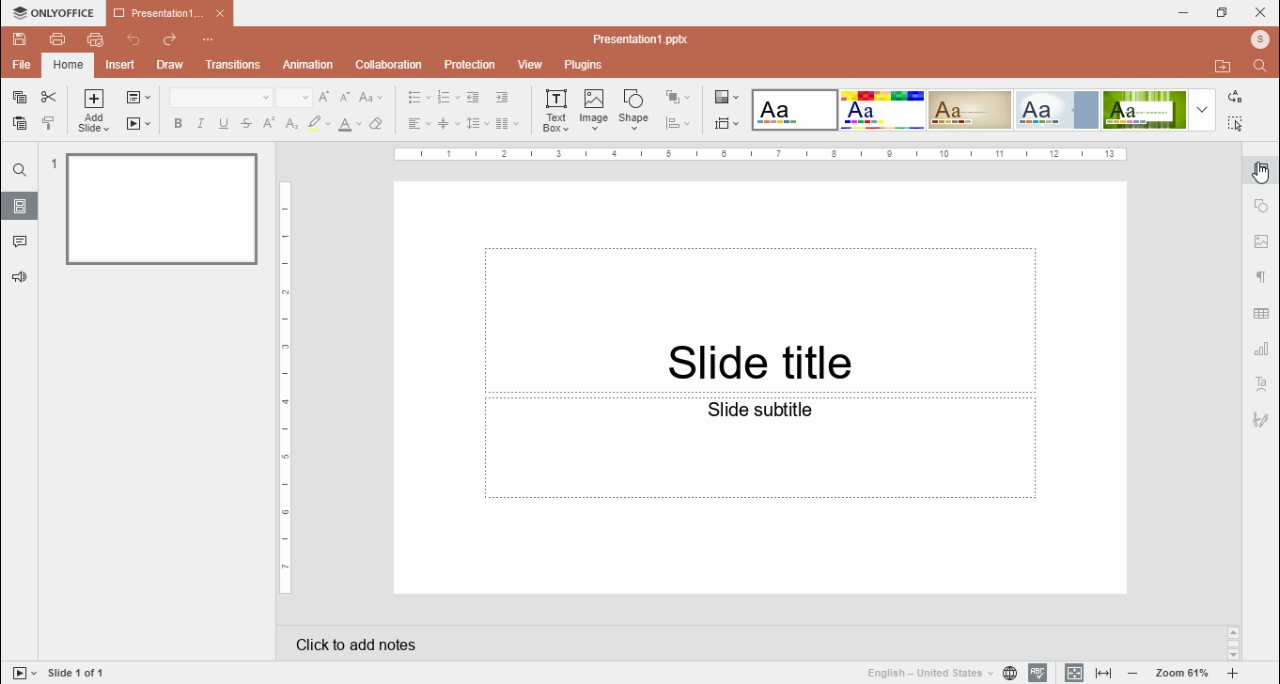 The width and height of the screenshot is (1280, 684). What do you see at coordinates (20, 206) in the screenshot?
I see `slides` at bounding box center [20, 206].